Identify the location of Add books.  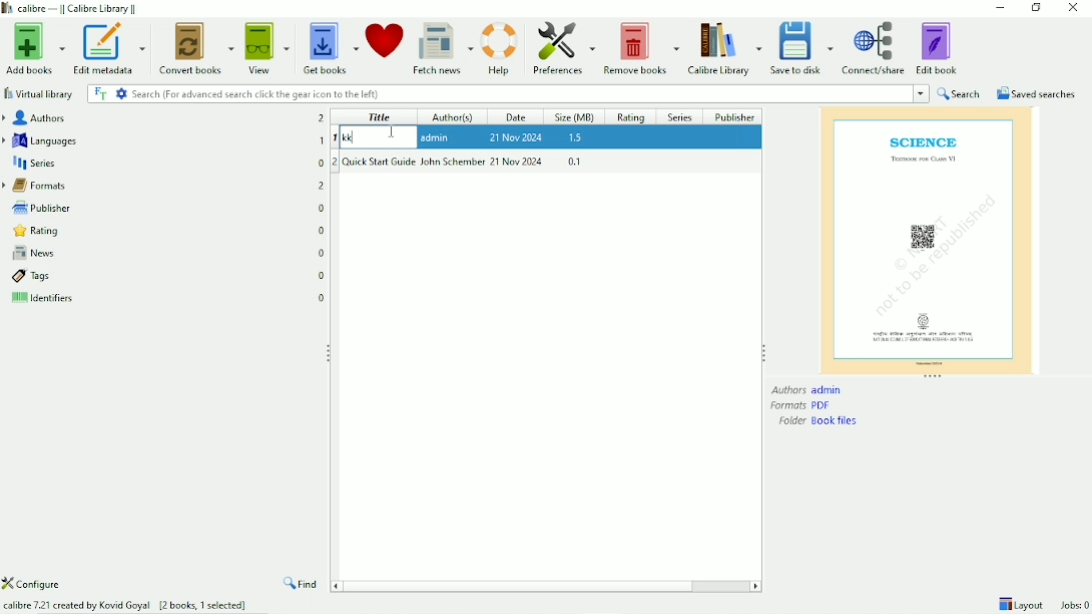
(34, 47).